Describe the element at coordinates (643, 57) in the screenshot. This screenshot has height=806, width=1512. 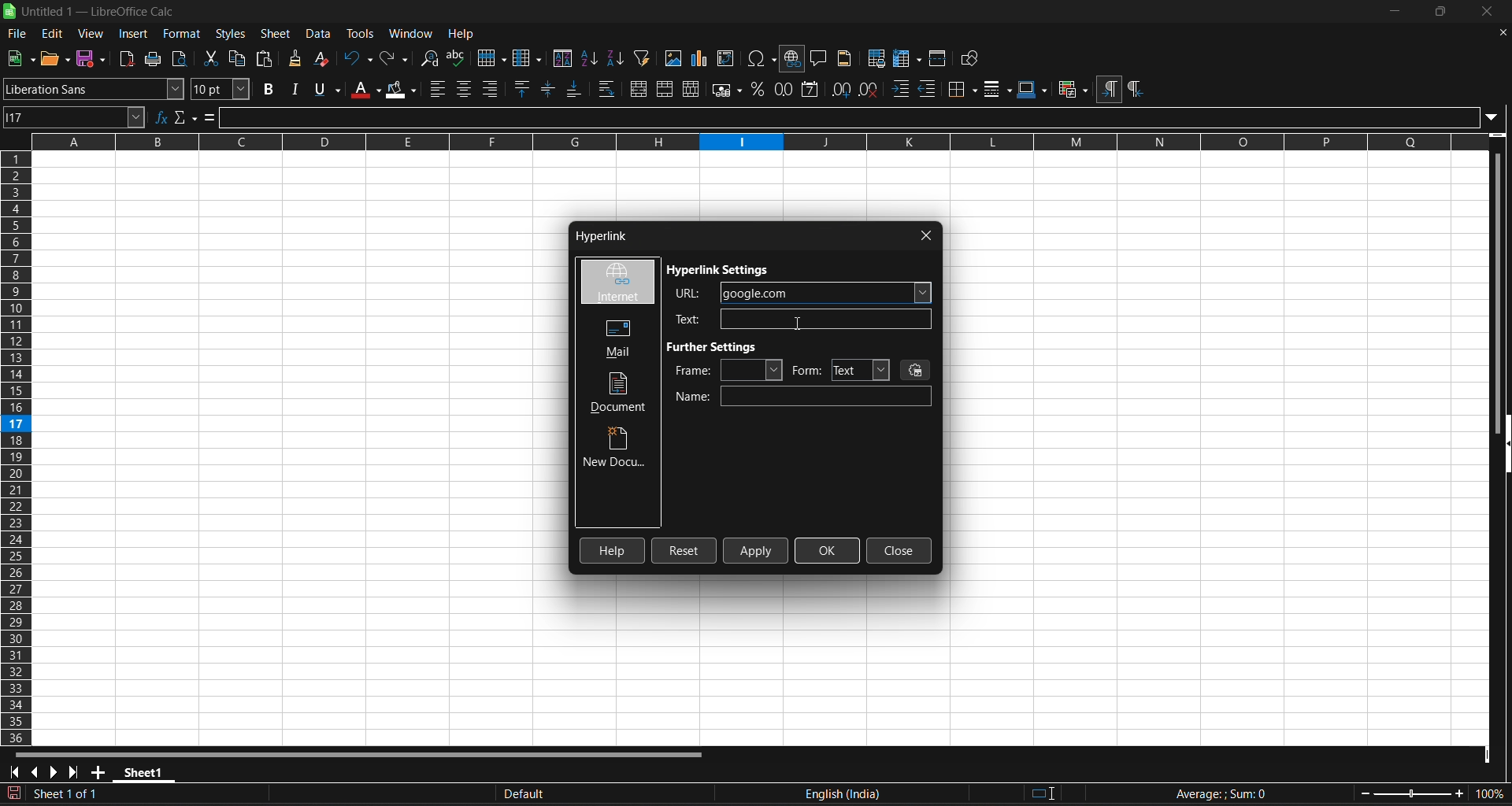
I see `auto filter` at that location.